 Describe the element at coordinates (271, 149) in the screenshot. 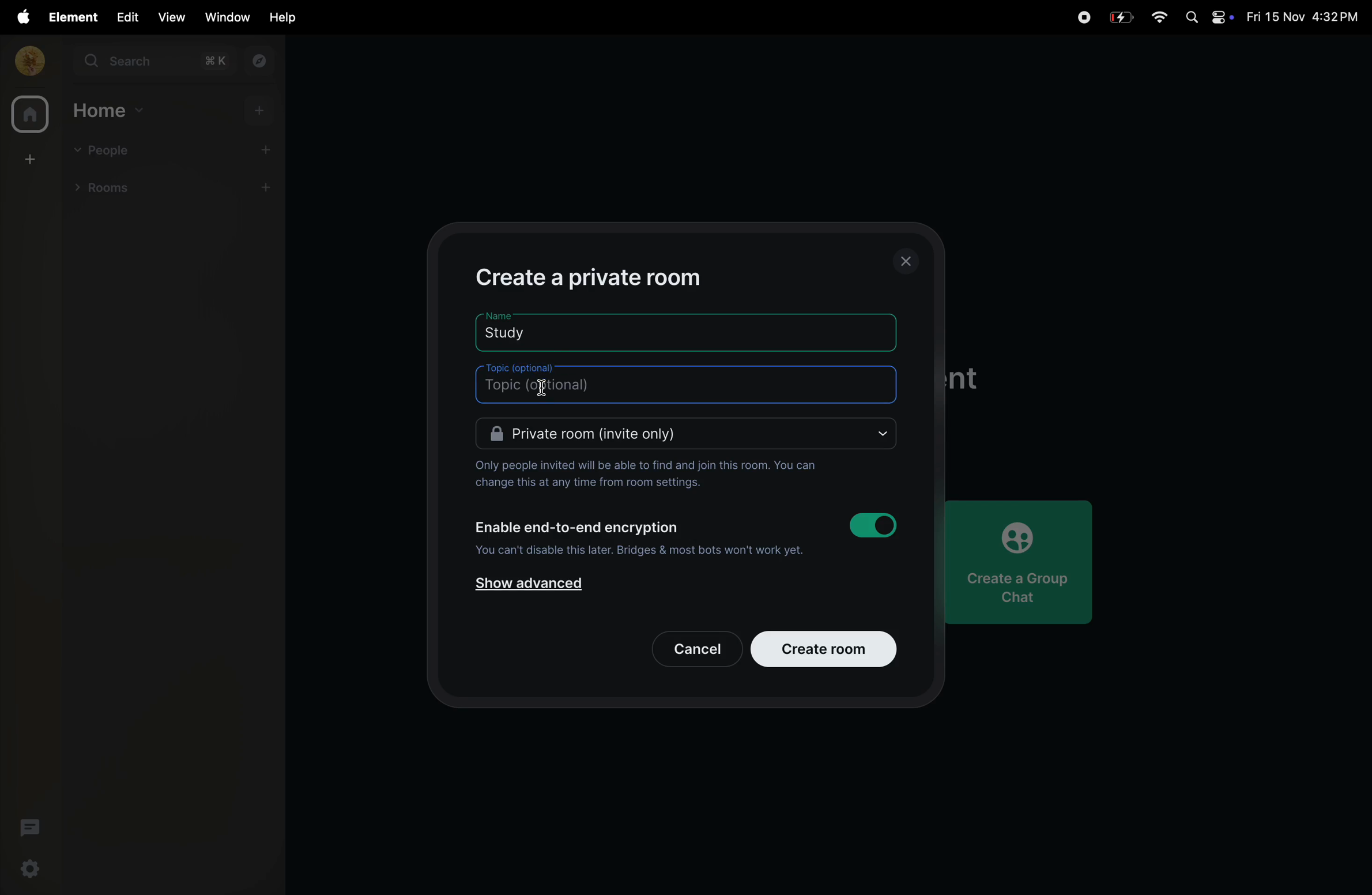

I see `add` at that location.